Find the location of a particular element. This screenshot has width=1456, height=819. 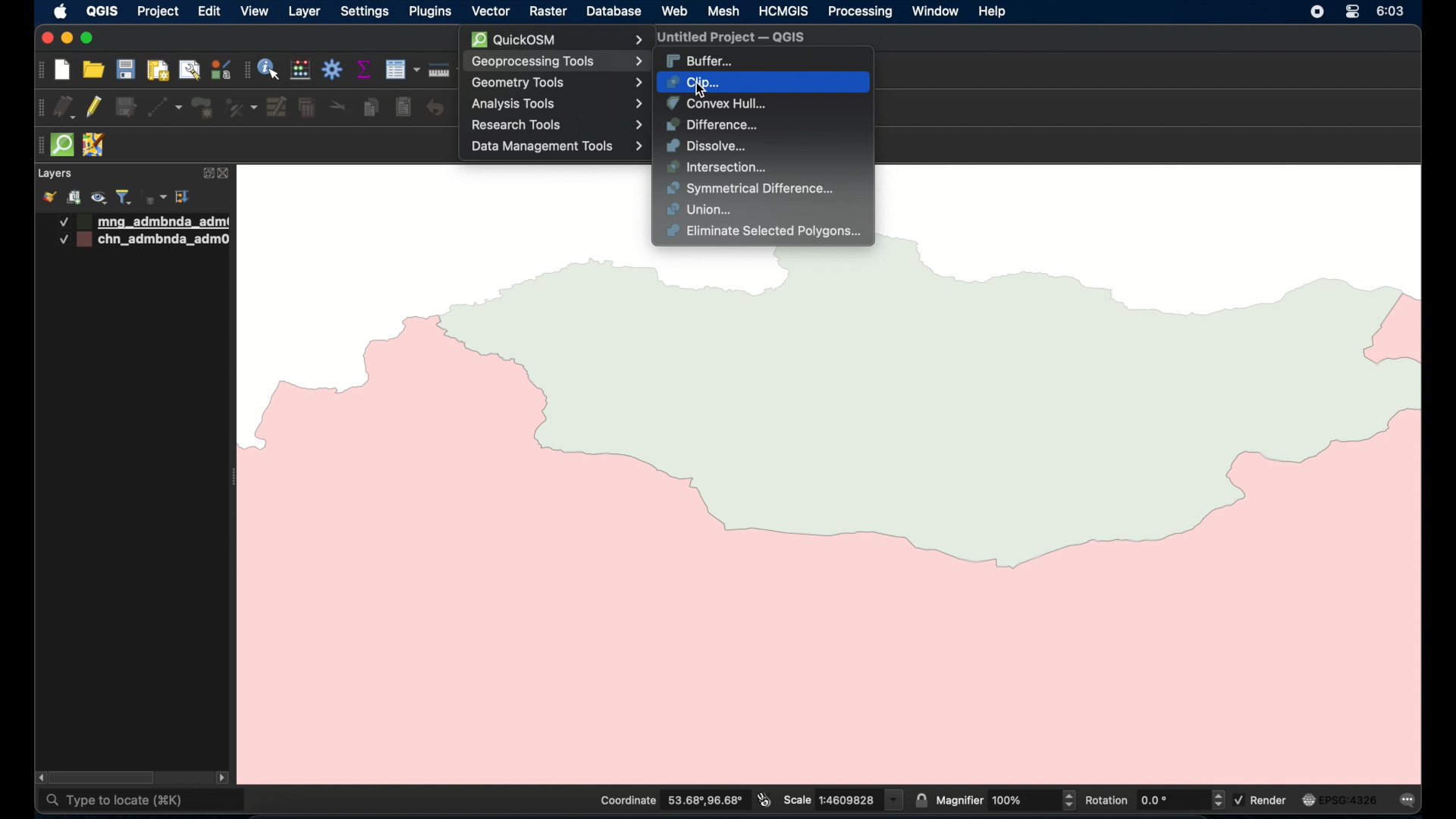

save edits is located at coordinates (127, 108).